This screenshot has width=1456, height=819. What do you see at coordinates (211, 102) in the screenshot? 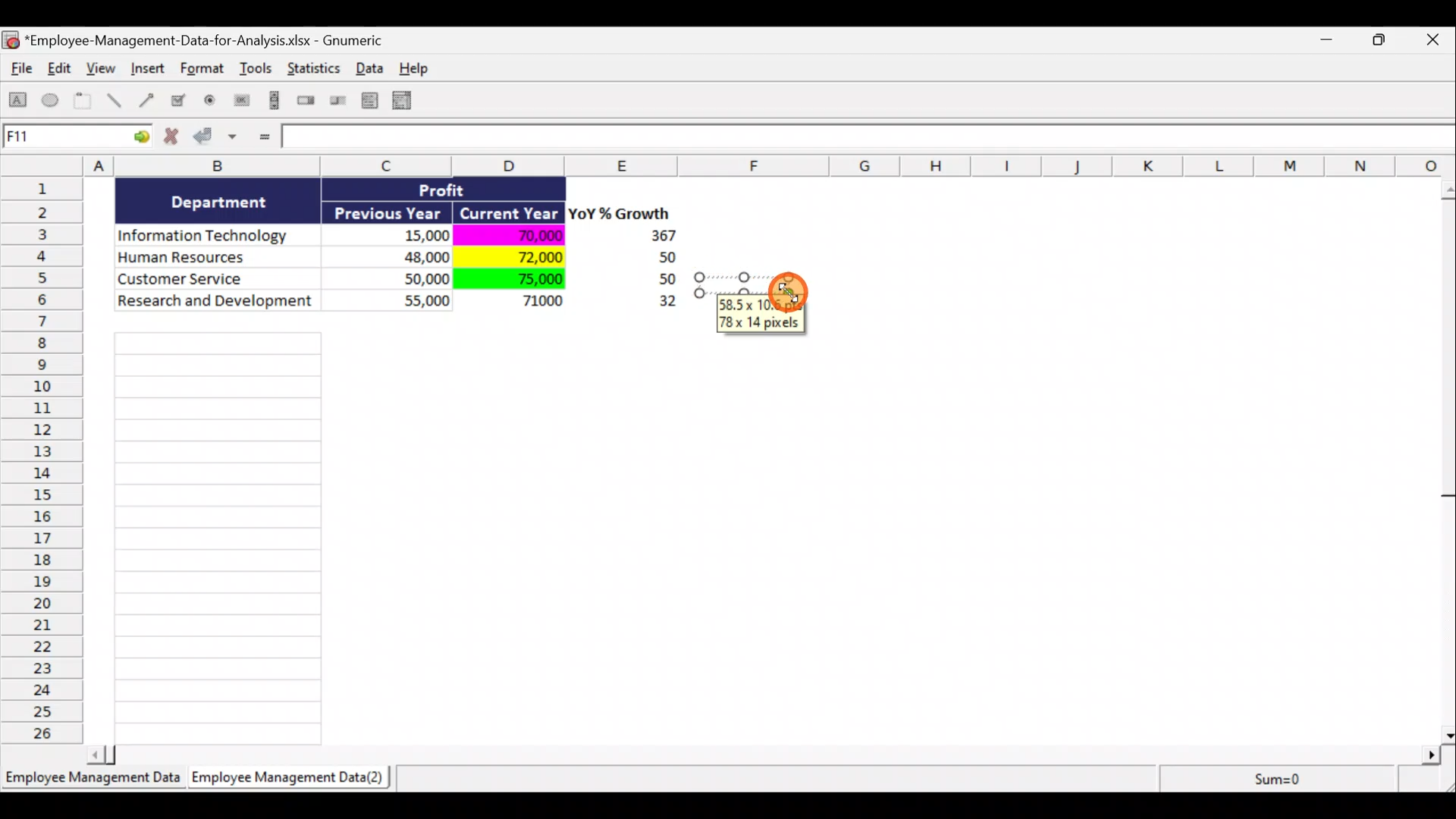
I see `Create a radio button` at bounding box center [211, 102].